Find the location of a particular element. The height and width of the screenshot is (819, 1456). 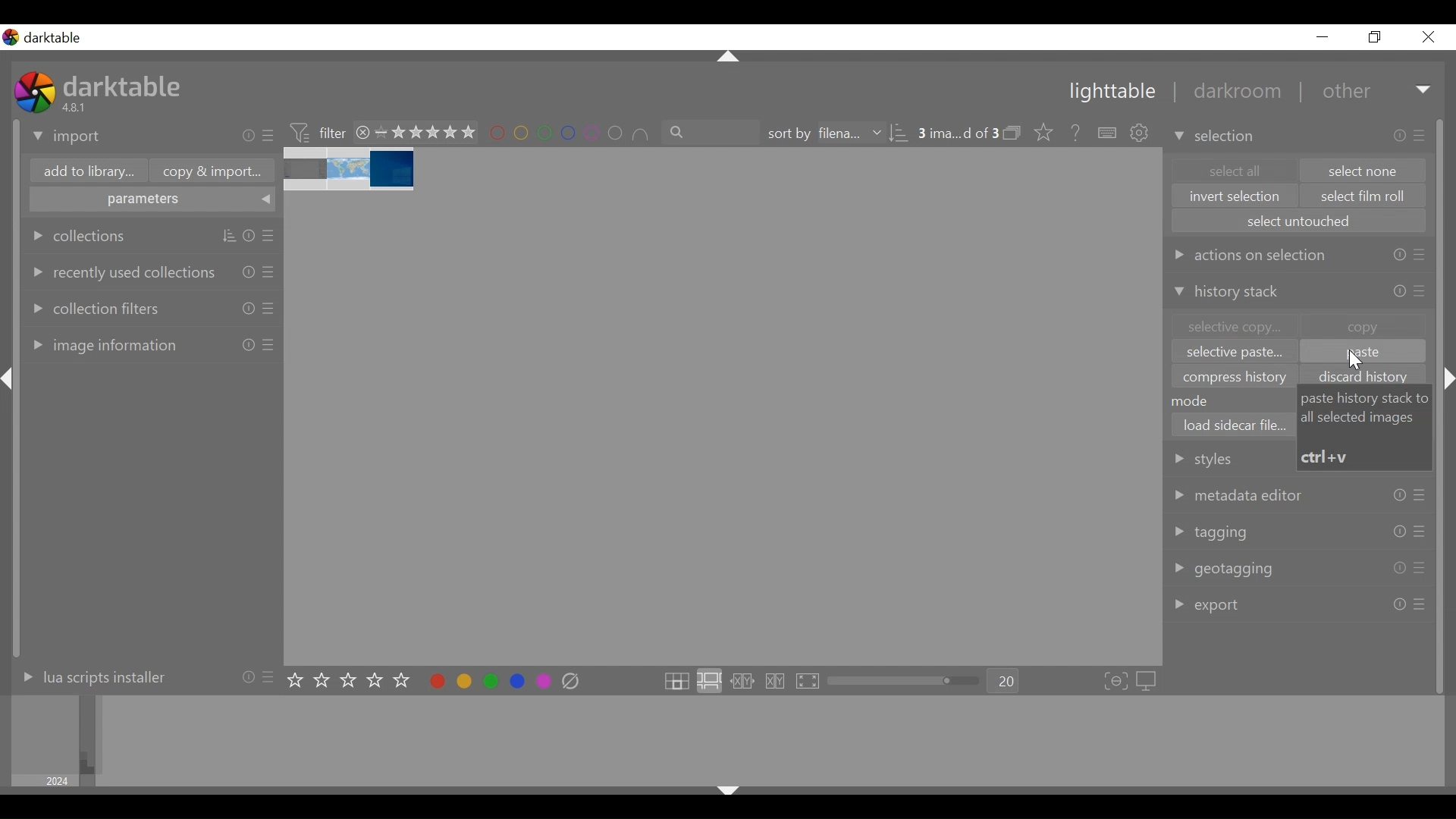

presets is located at coordinates (270, 136).